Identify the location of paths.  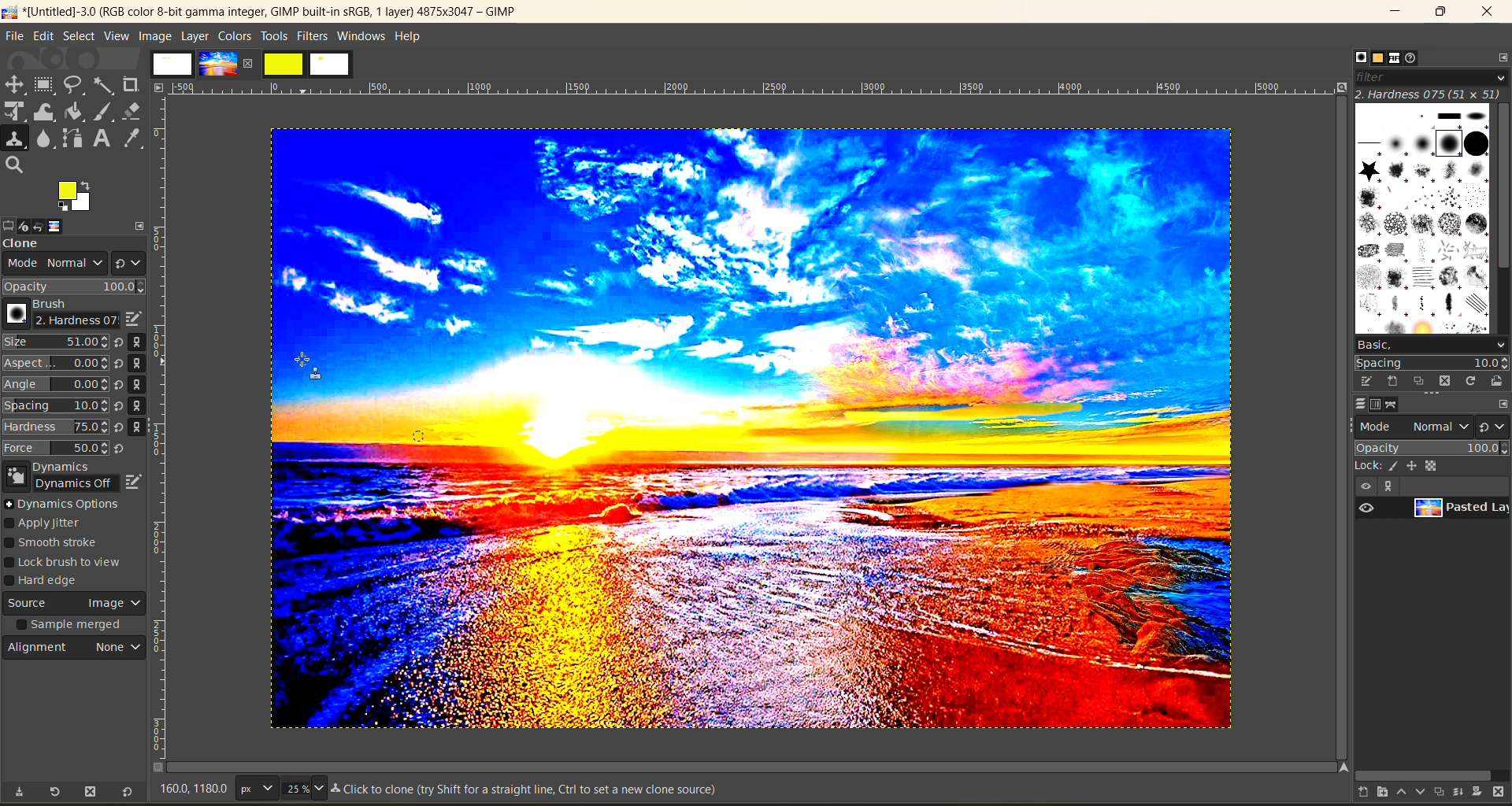
(1399, 405).